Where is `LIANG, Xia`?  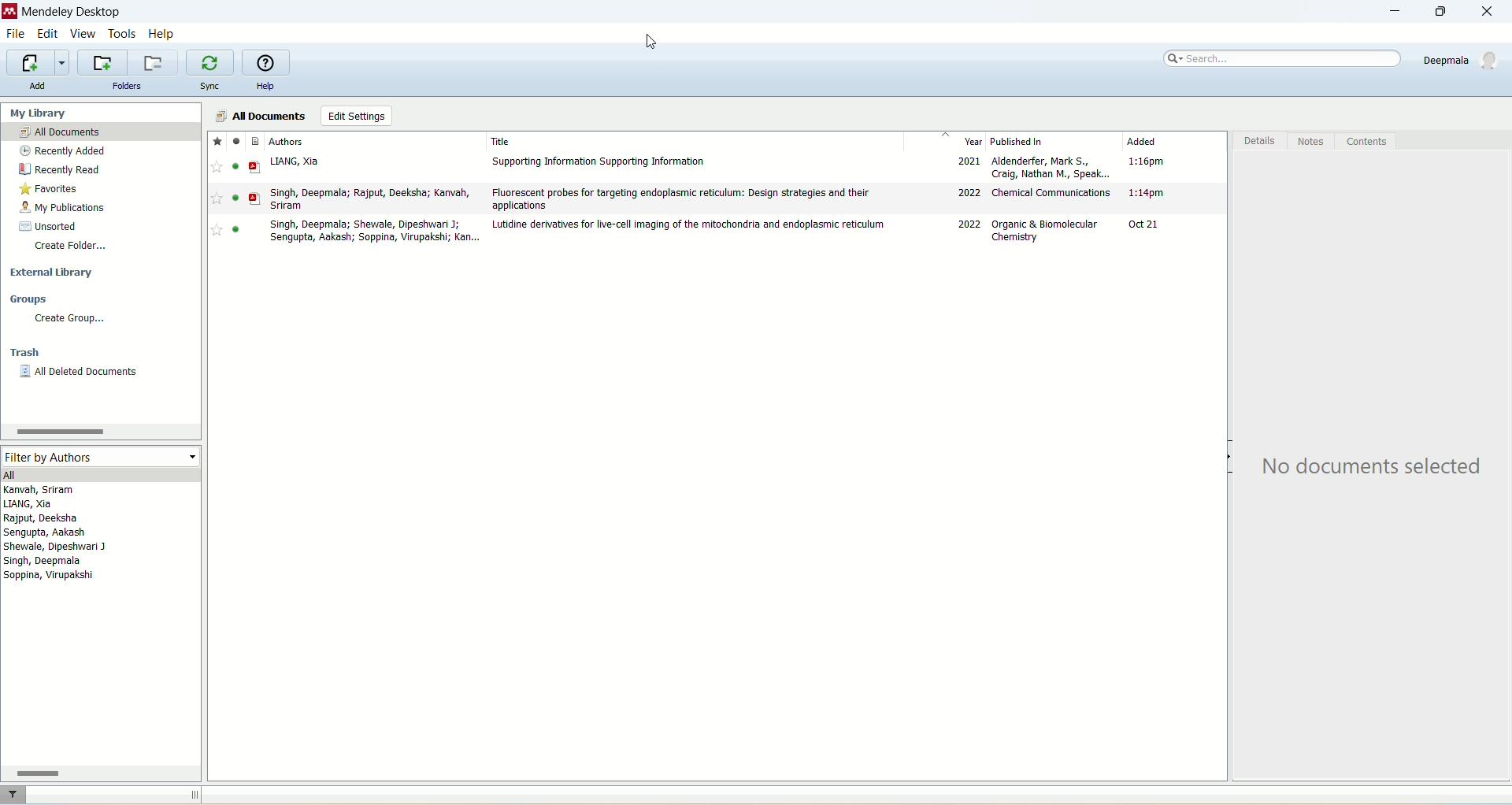 LIANG, Xia is located at coordinates (30, 503).